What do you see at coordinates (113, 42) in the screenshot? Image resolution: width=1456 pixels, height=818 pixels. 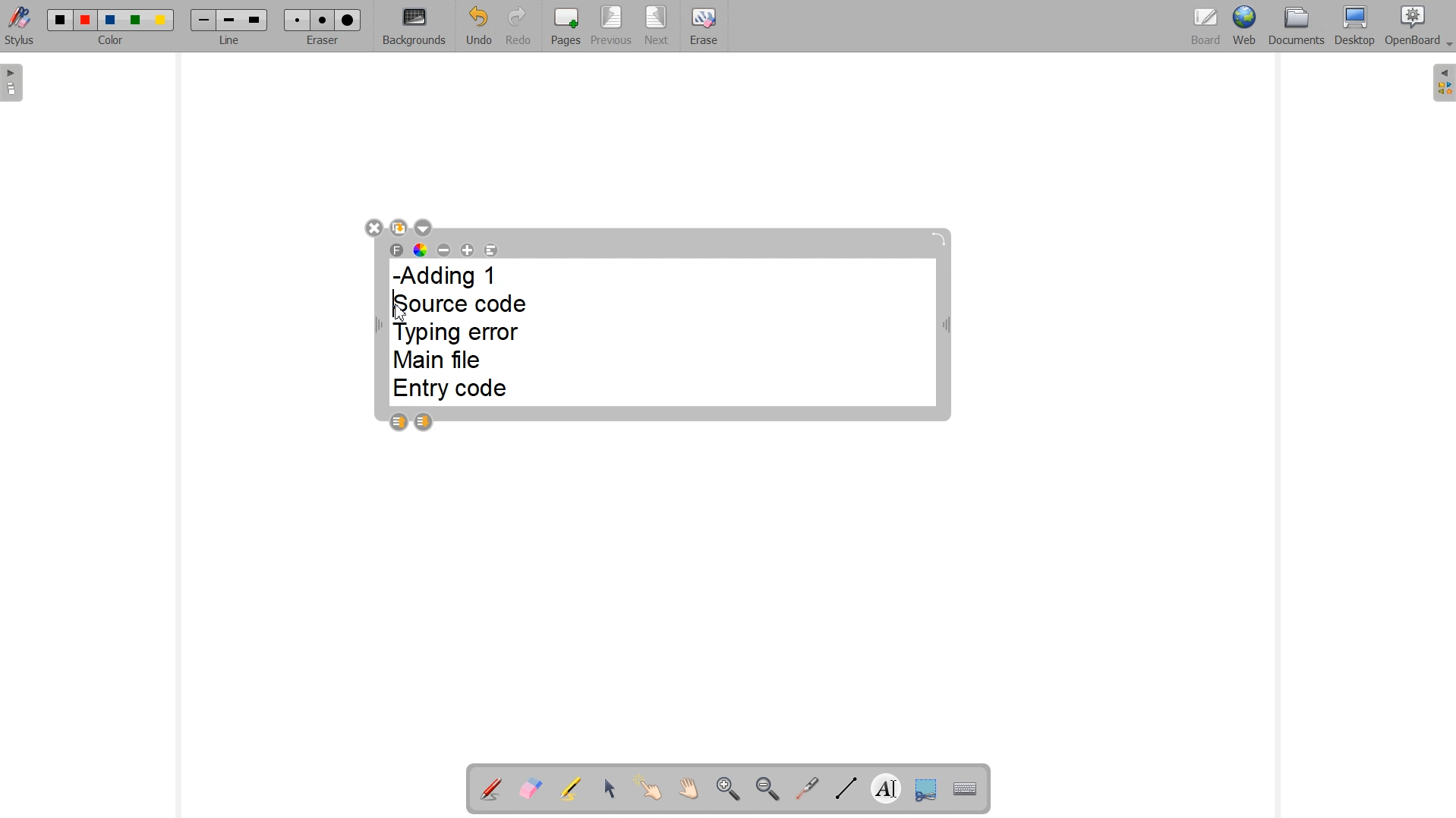 I see `Color` at bounding box center [113, 42].